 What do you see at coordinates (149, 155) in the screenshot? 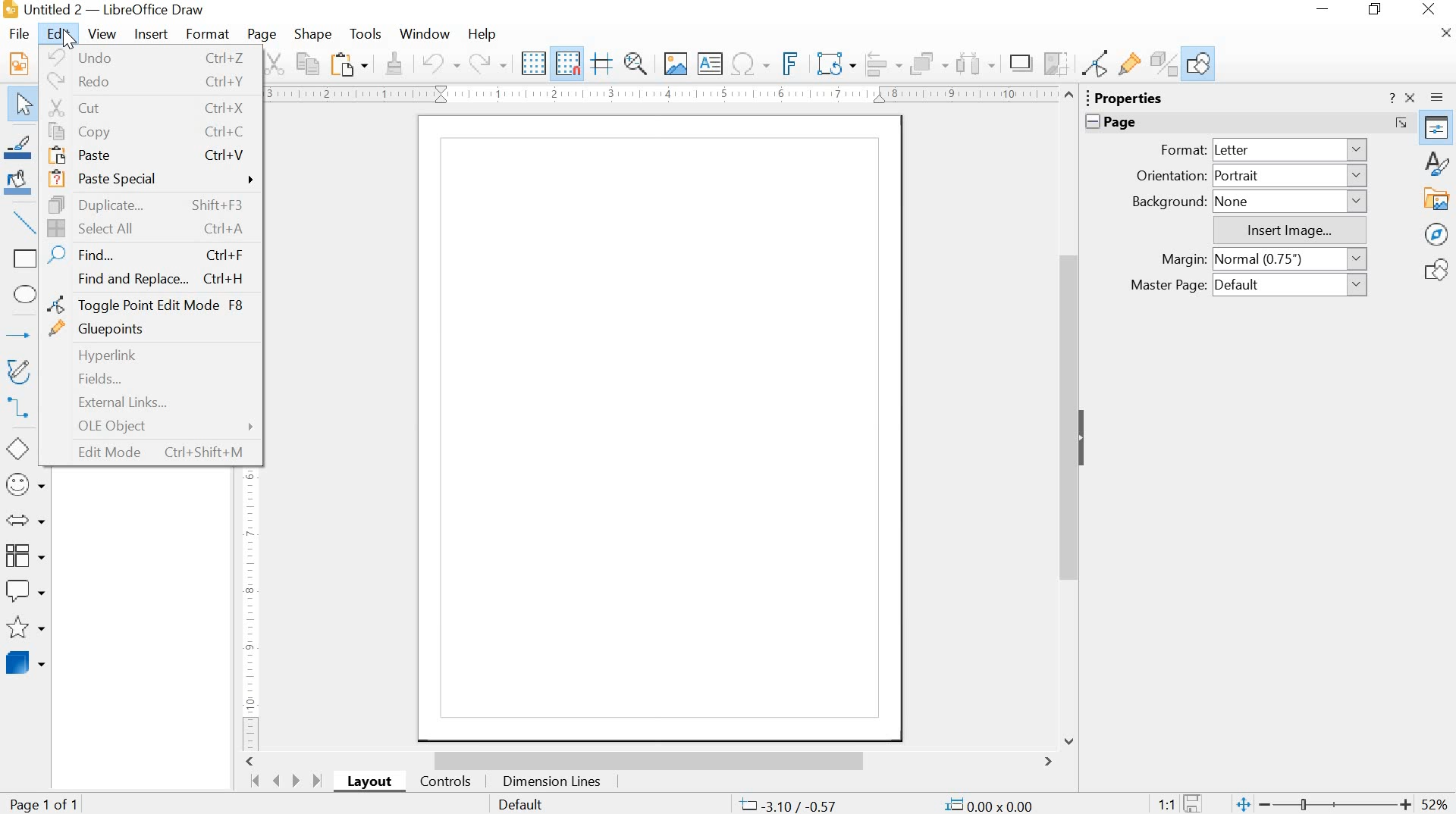
I see `paste` at bounding box center [149, 155].